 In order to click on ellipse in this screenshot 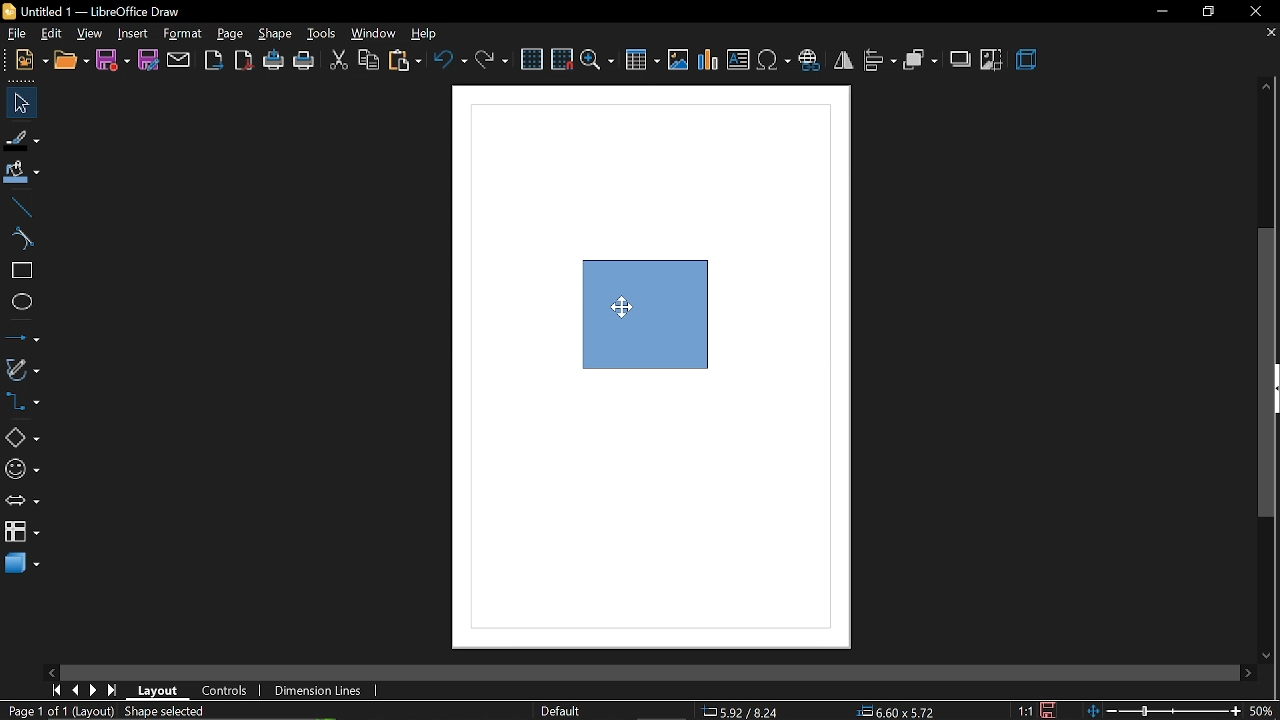, I will do `click(18, 304)`.